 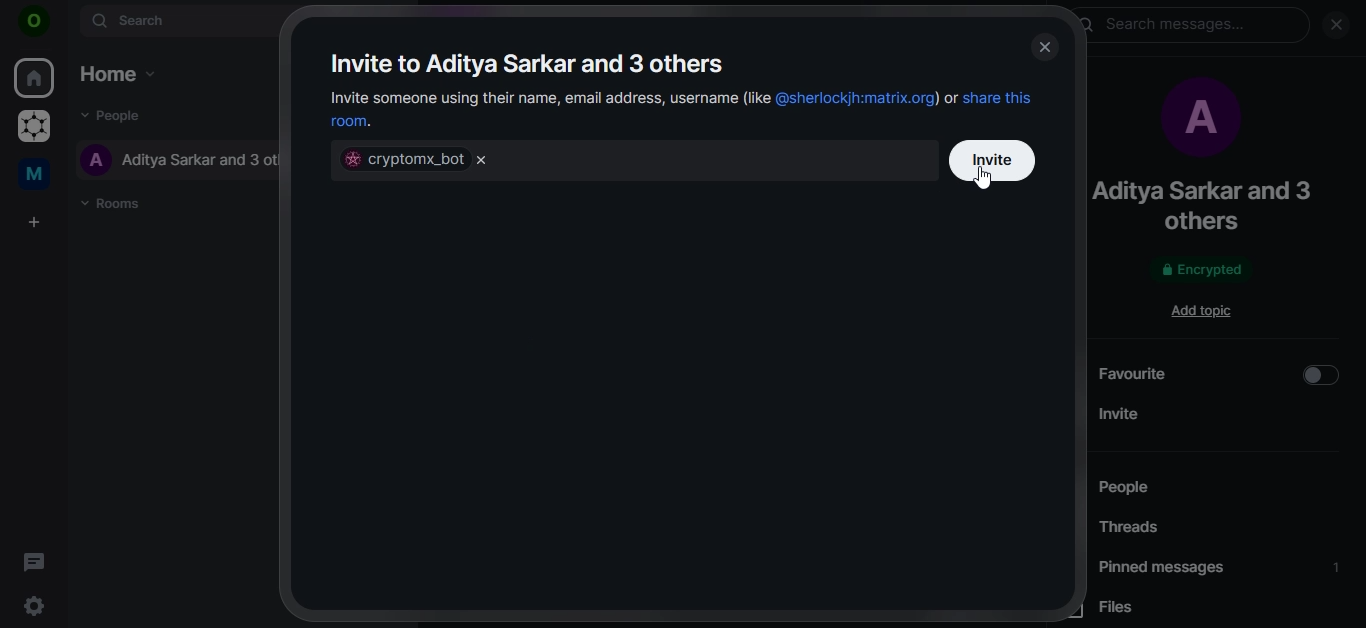 What do you see at coordinates (1152, 488) in the screenshot?
I see `people` at bounding box center [1152, 488].